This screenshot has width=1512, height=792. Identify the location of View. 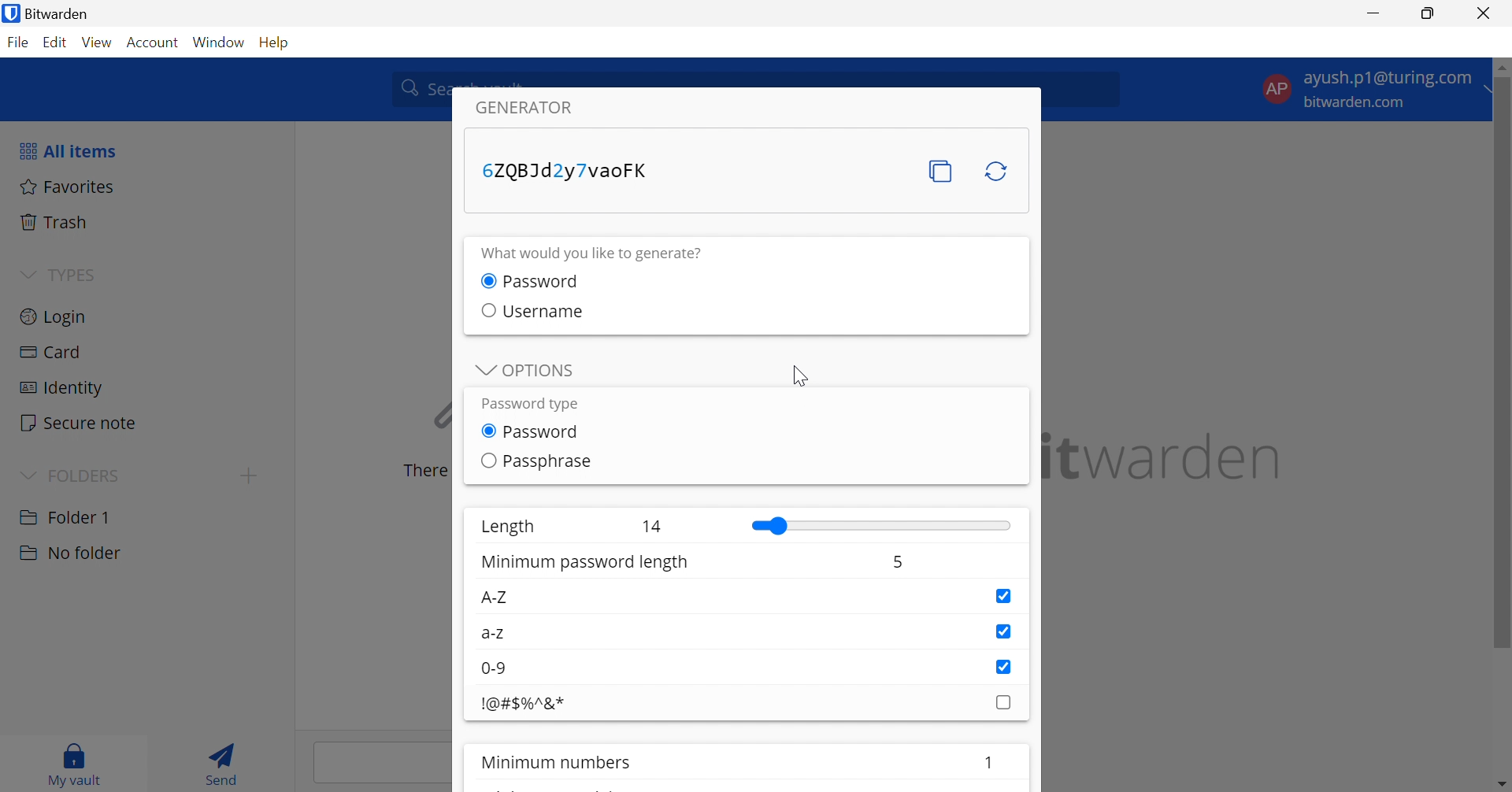
(98, 43).